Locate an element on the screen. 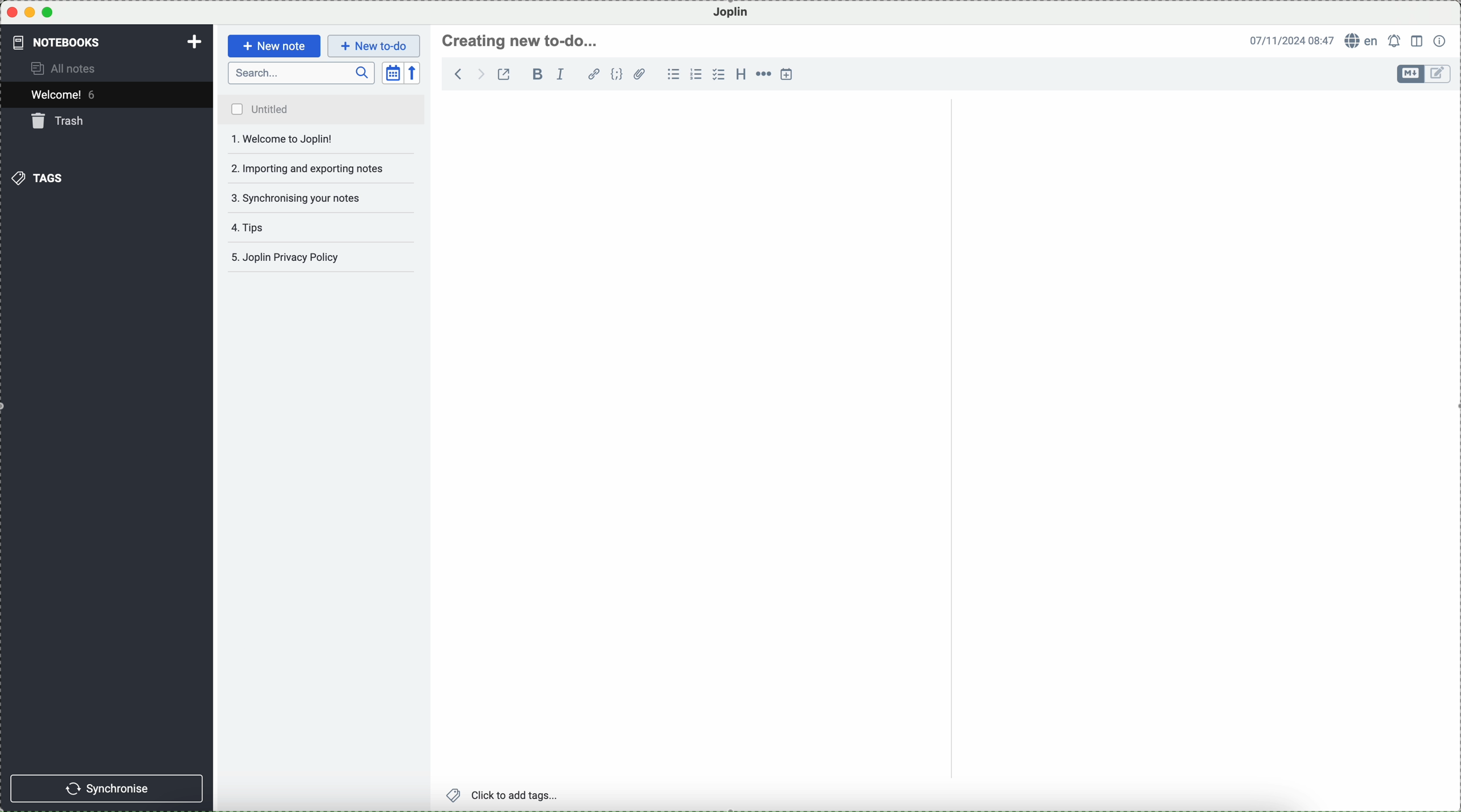  tags is located at coordinates (37, 178).